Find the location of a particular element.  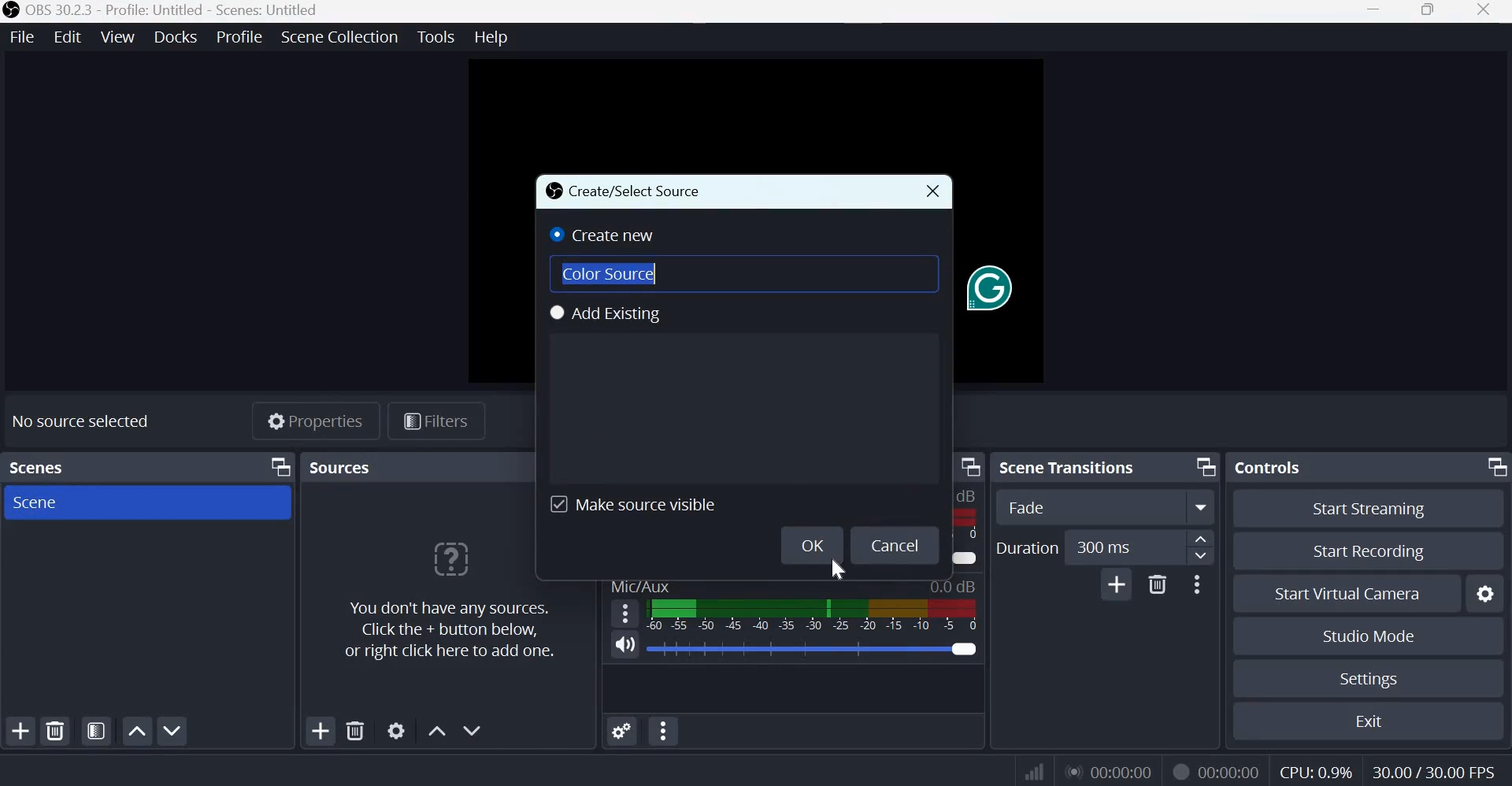

You don't have any sources, Click the +button below, or right click here to add one.  is located at coordinates (445, 602).